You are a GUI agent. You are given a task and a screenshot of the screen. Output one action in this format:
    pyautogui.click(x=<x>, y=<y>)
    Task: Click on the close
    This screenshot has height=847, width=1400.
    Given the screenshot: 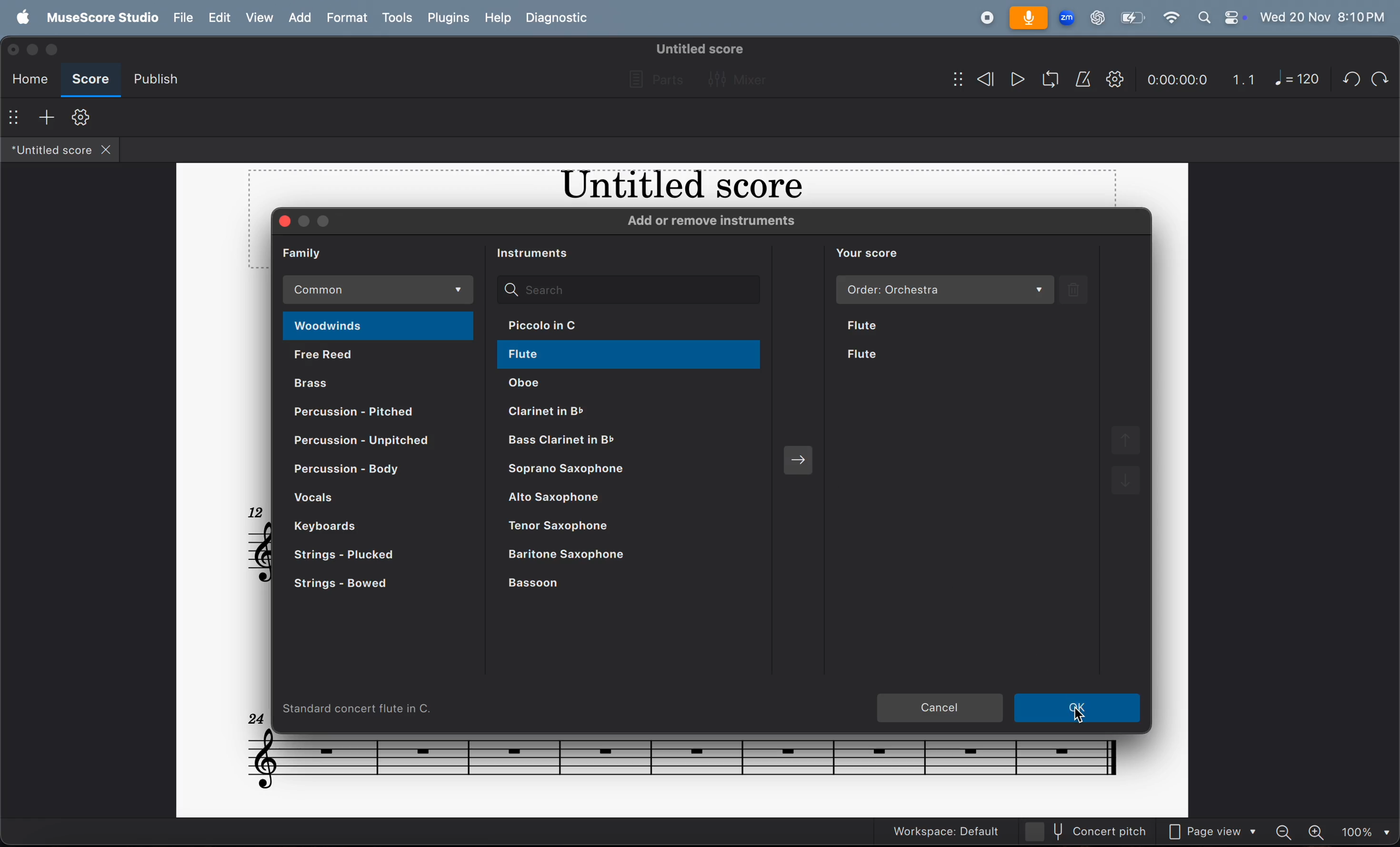 What is the action you would take?
    pyautogui.click(x=285, y=223)
    